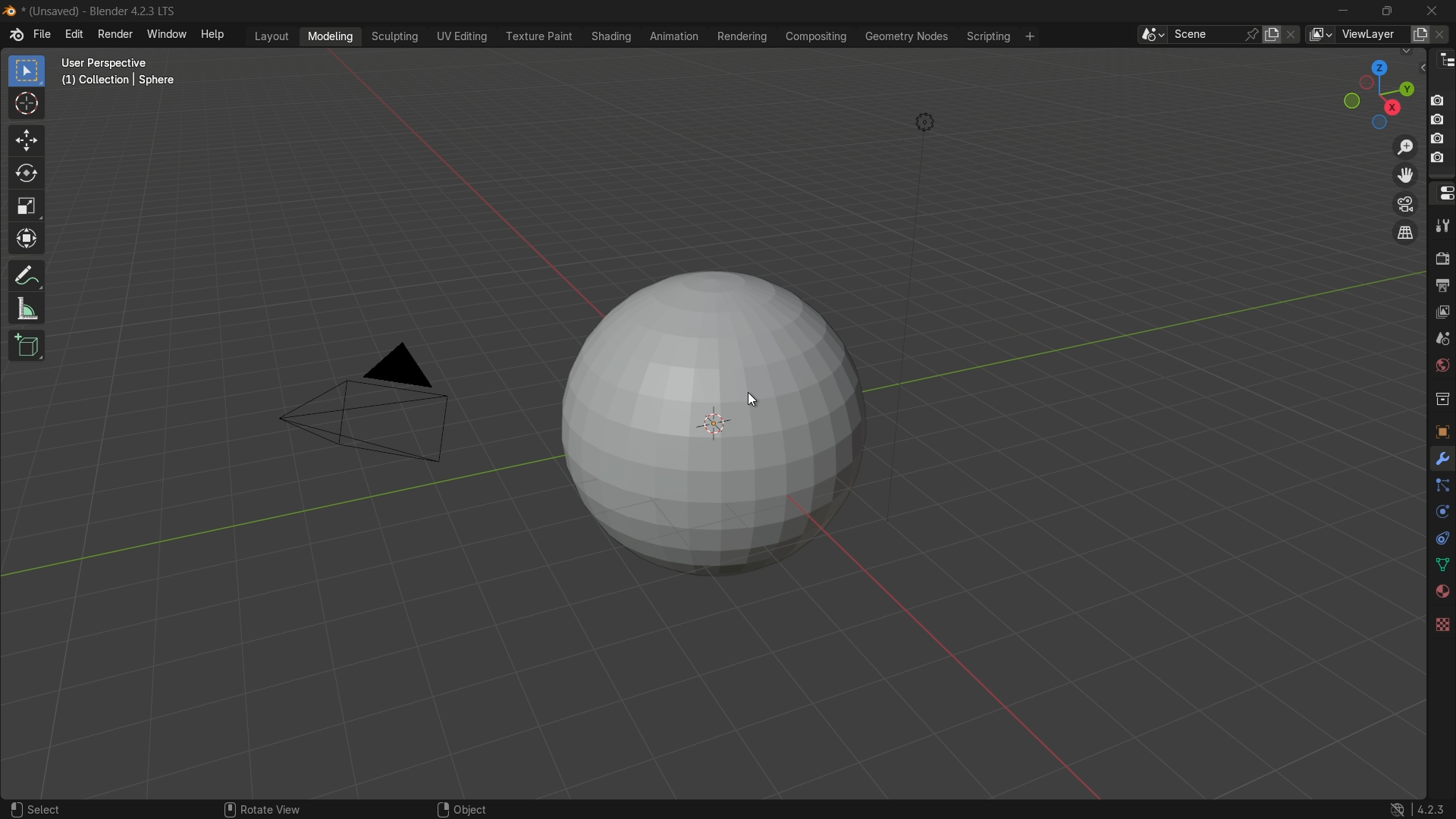 The width and height of the screenshot is (1456, 819). What do you see at coordinates (1441, 563) in the screenshot?
I see `data` at bounding box center [1441, 563].